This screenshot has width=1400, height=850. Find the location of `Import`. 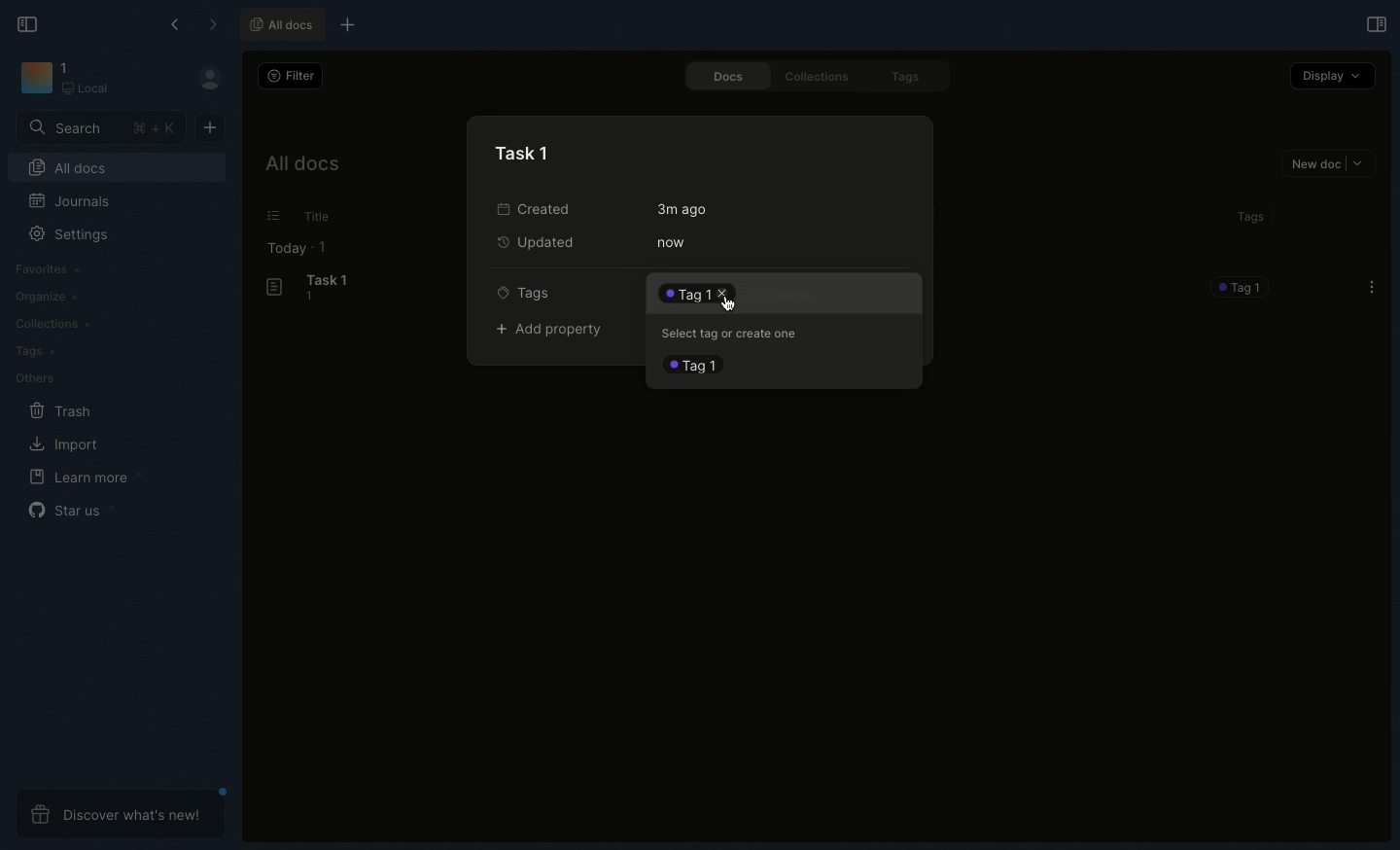

Import is located at coordinates (66, 445).